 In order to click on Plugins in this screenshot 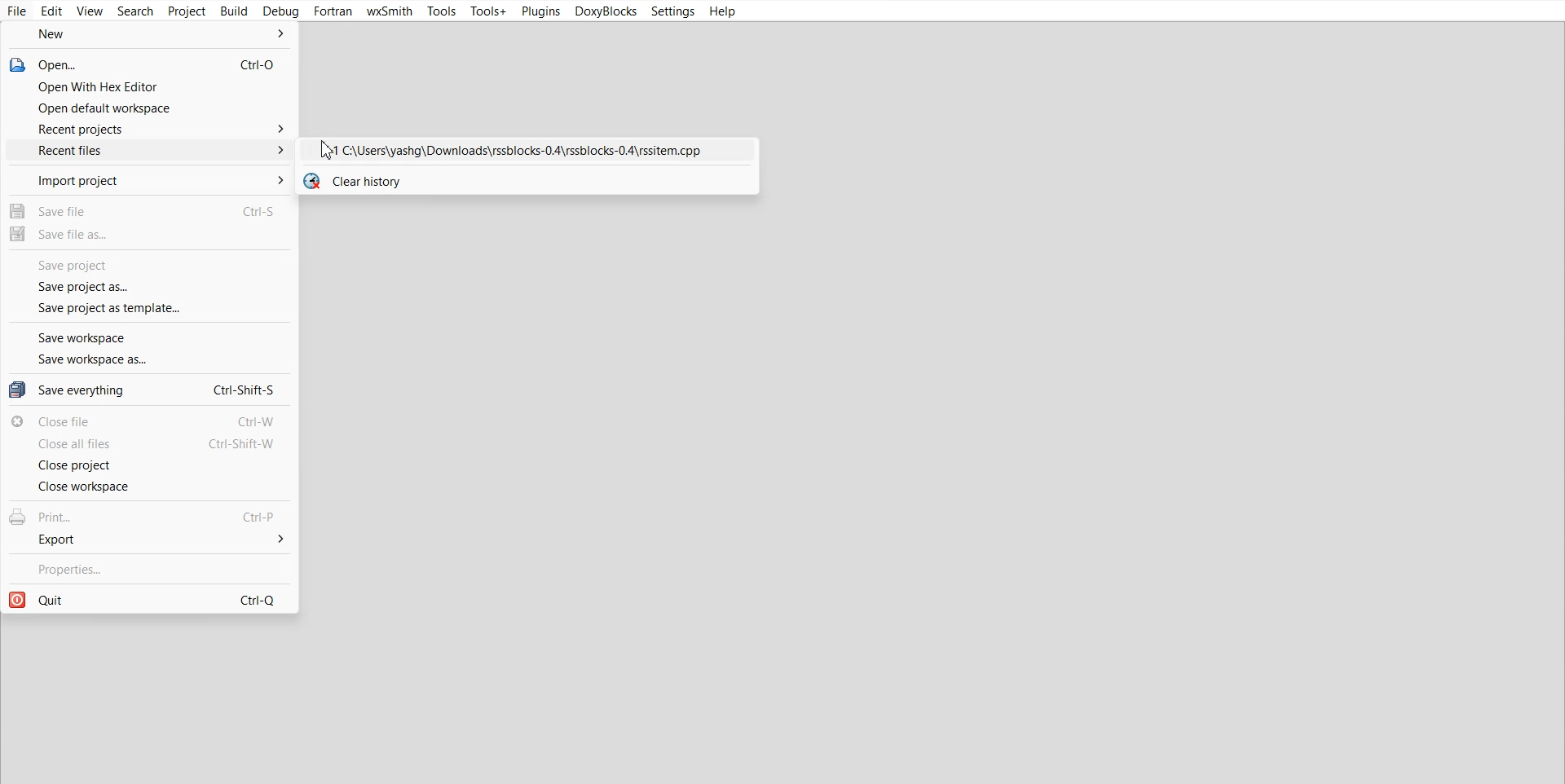, I will do `click(540, 11)`.